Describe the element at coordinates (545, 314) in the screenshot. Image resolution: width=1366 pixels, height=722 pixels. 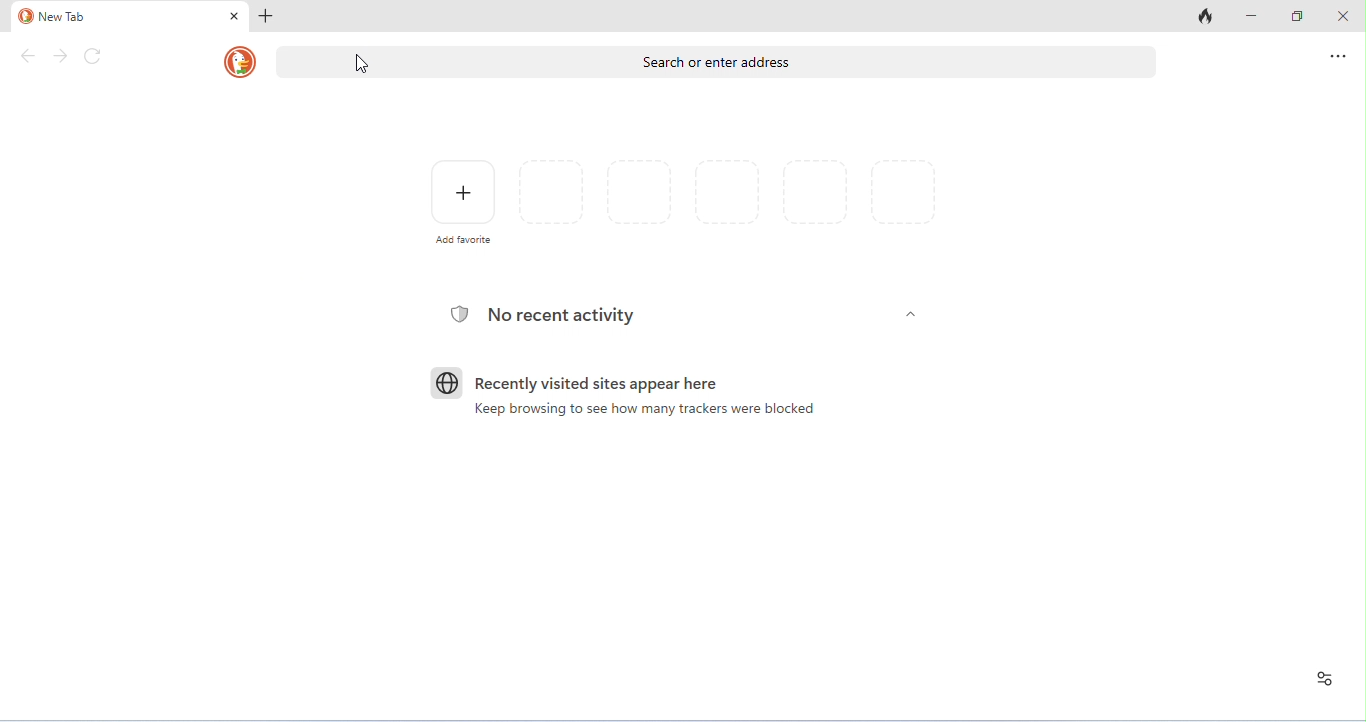
I see `no recent acitivity` at that location.